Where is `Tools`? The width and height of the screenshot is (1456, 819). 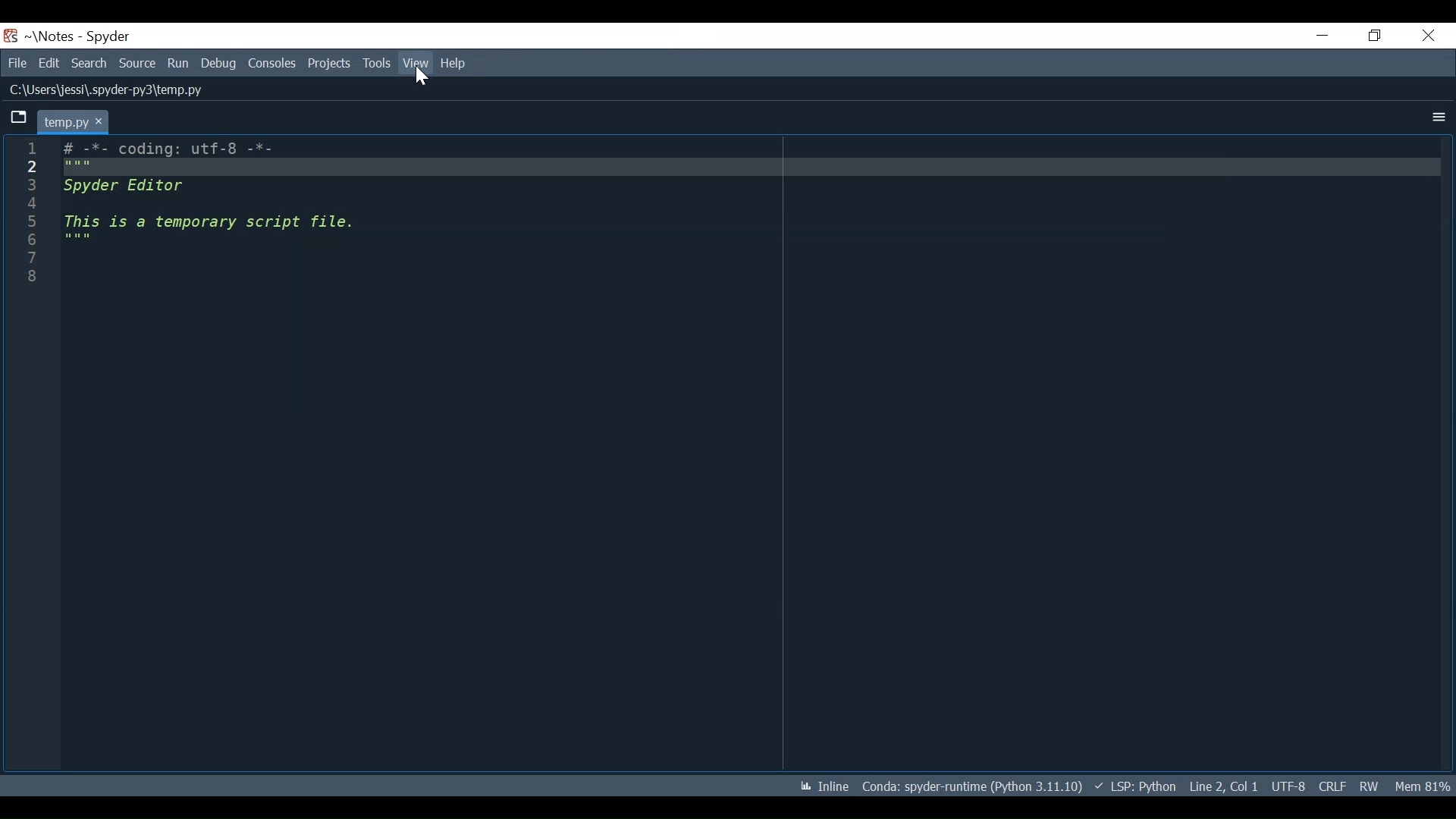
Tools is located at coordinates (331, 63).